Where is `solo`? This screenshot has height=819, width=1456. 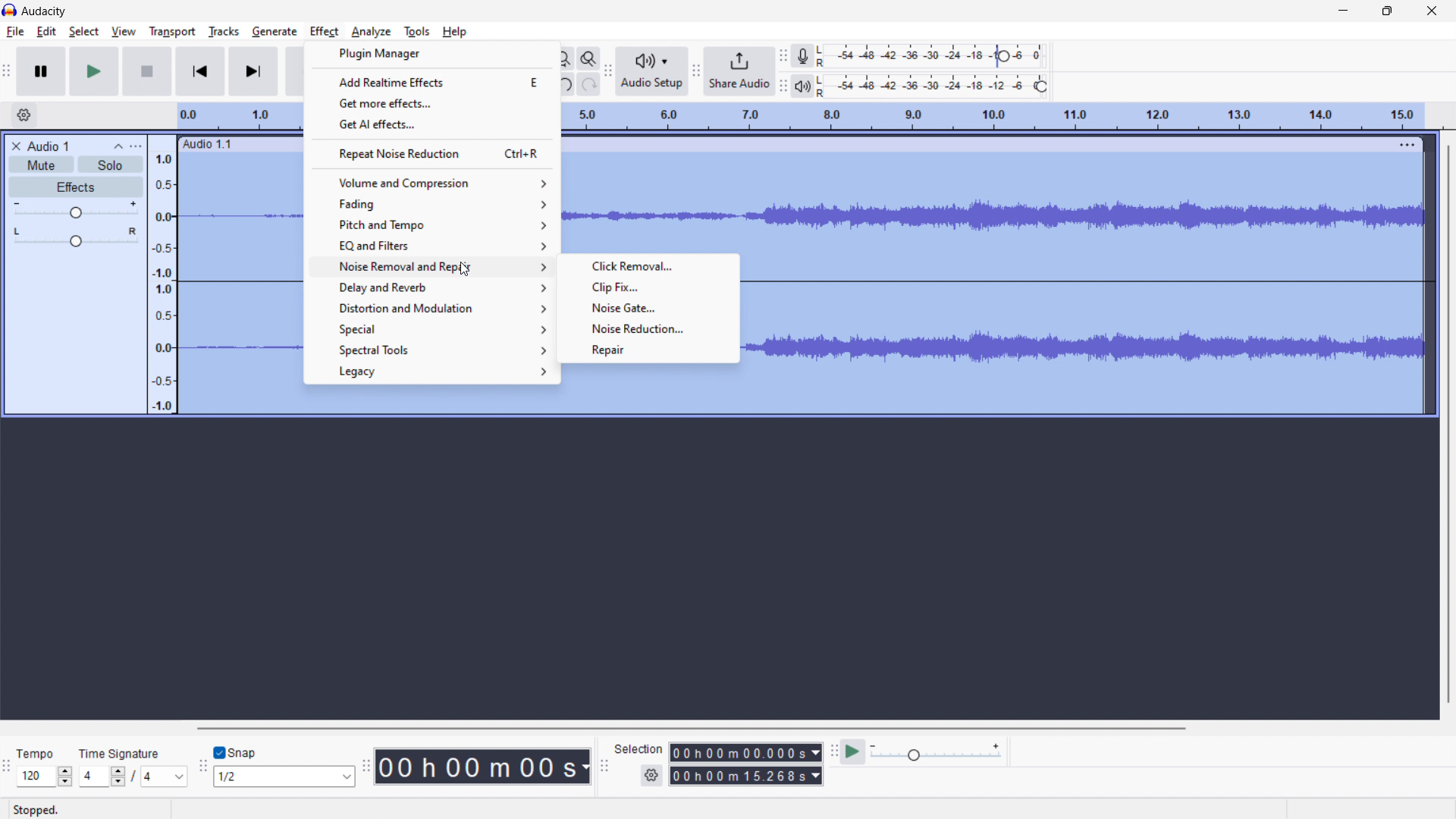
solo is located at coordinates (111, 165).